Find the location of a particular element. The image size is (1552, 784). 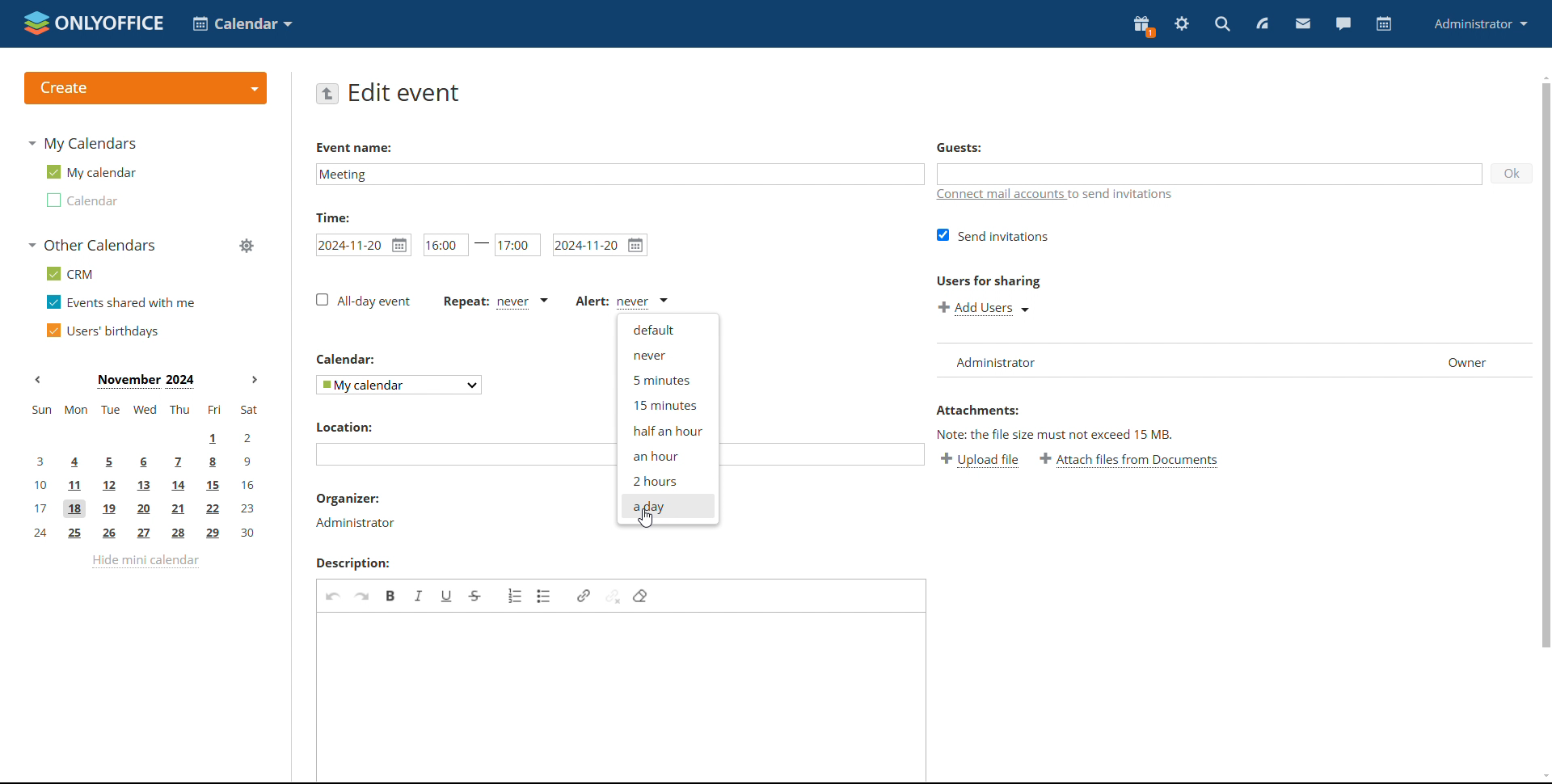

search is located at coordinates (1221, 24).